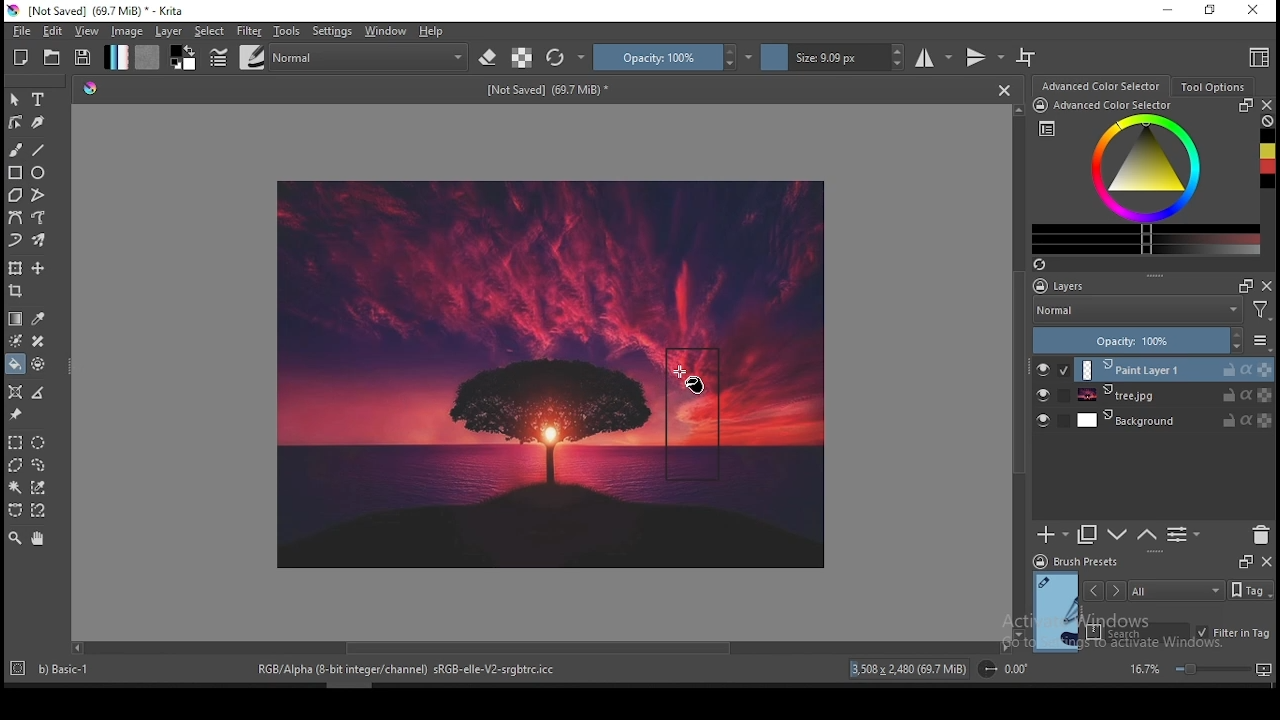 This screenshot has width=1280, height=720. I want to click on layer visibility on/off, so click(1044, 369).